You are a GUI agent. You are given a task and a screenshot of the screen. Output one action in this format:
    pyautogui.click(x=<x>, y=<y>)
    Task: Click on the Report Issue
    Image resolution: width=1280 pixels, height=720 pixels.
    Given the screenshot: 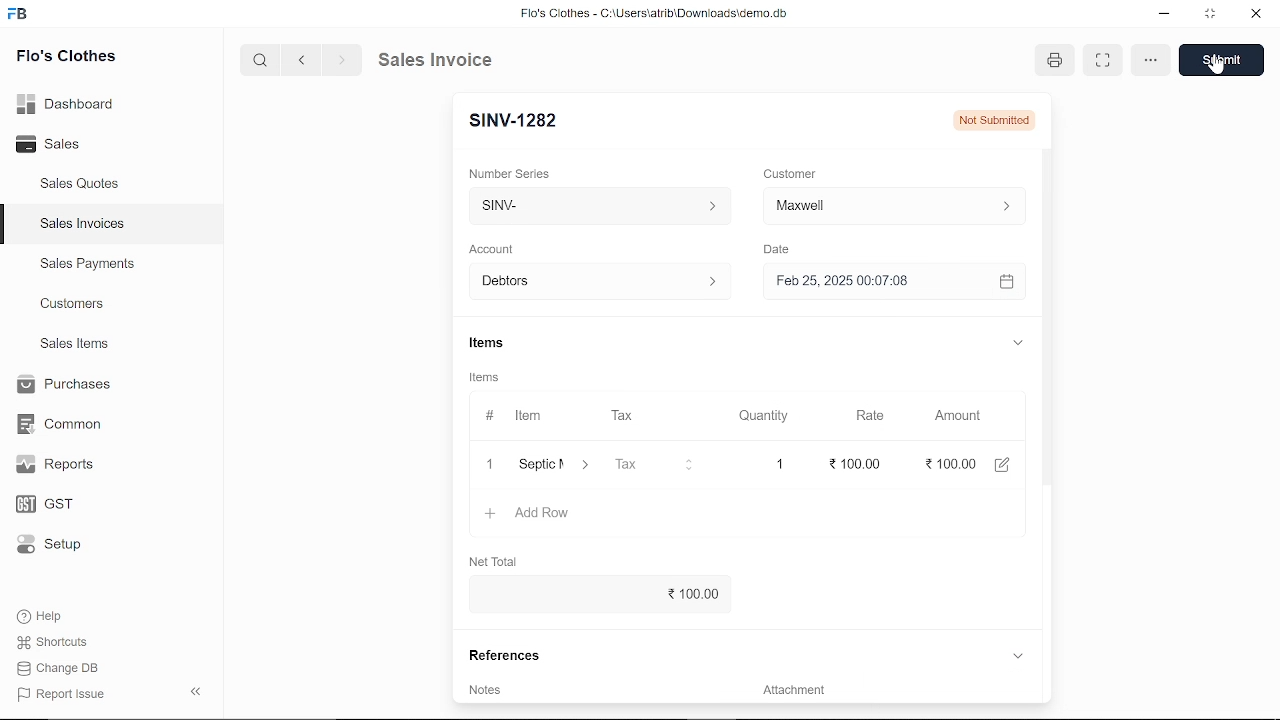 What is the action you would take?
    pyautogui.click(x=61, y=693)
    